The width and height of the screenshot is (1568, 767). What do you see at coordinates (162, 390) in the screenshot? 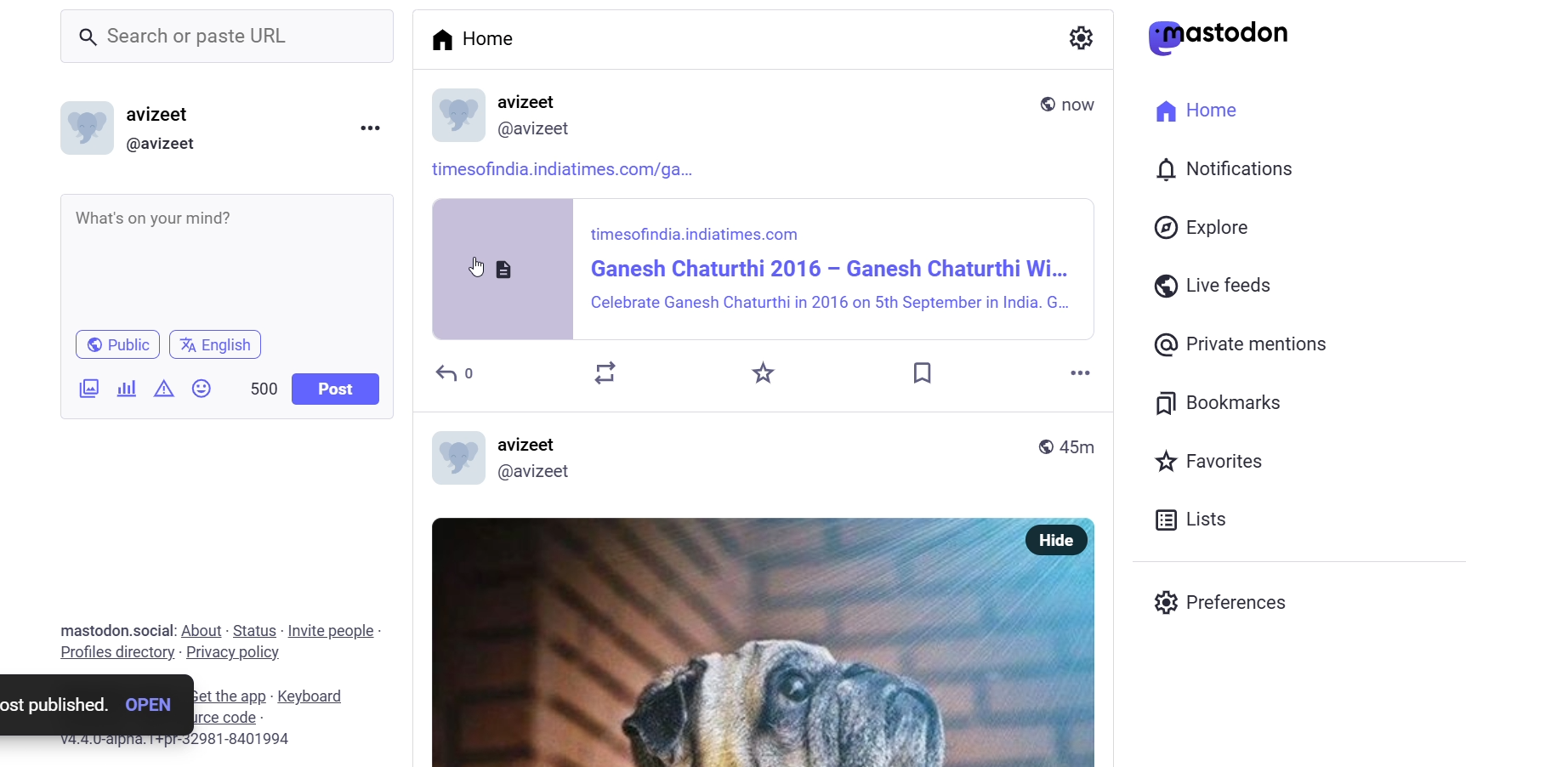
I see `content warning` at bounding box center [162, 390].